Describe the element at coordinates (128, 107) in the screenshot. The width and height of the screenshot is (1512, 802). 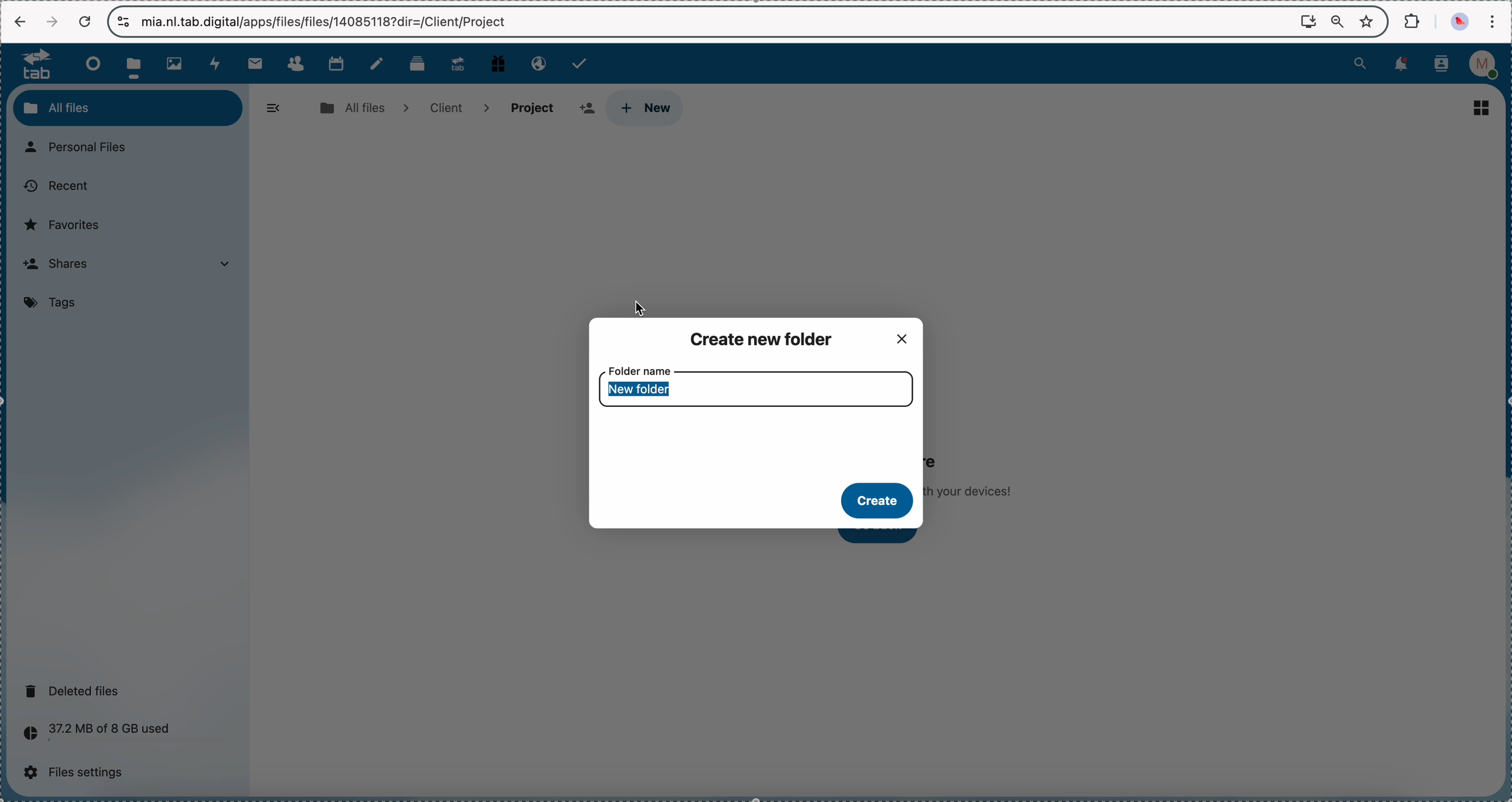
I see `all files` at that location.